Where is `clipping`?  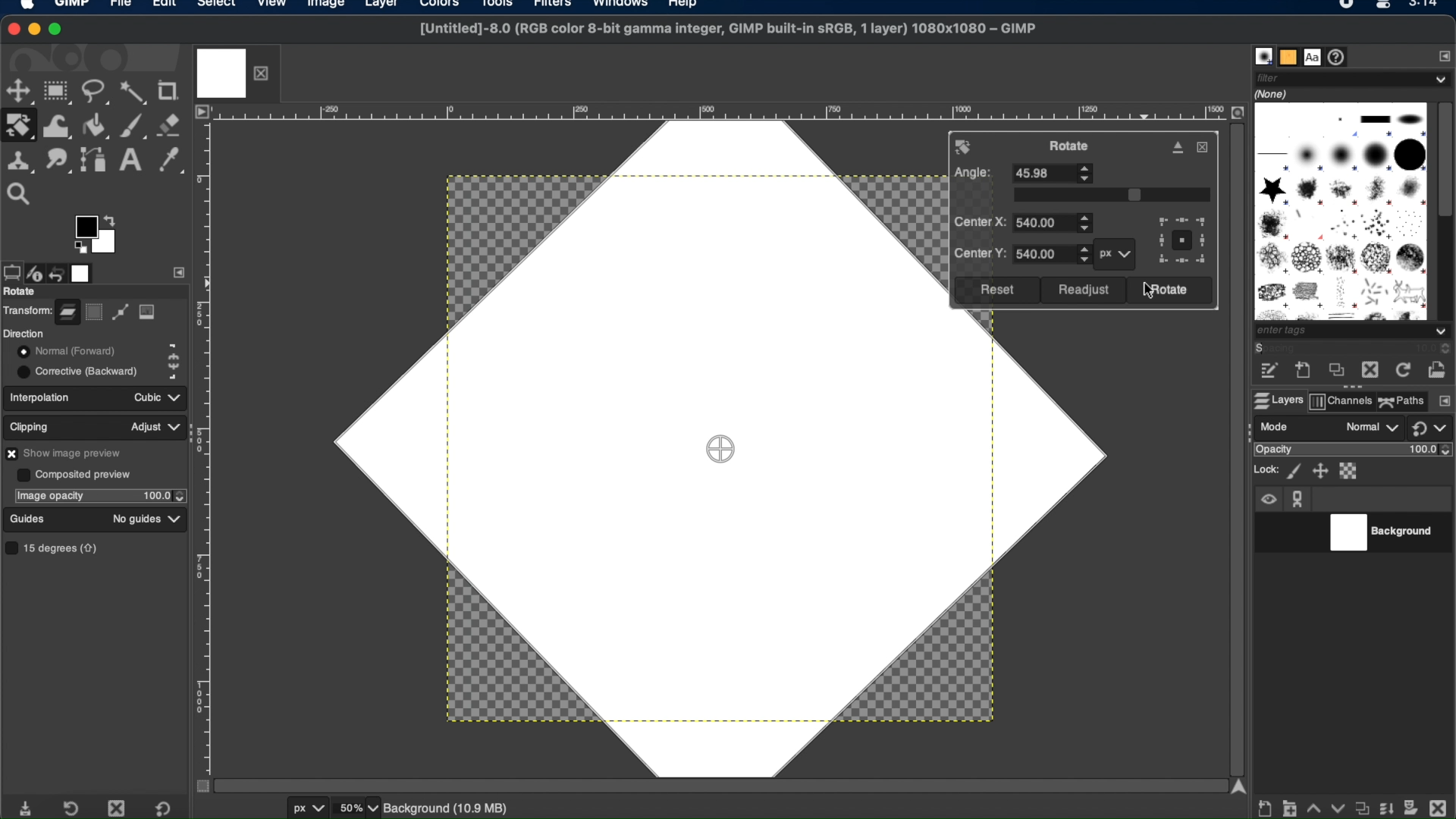 clipping is located at coordinates (32, 425).